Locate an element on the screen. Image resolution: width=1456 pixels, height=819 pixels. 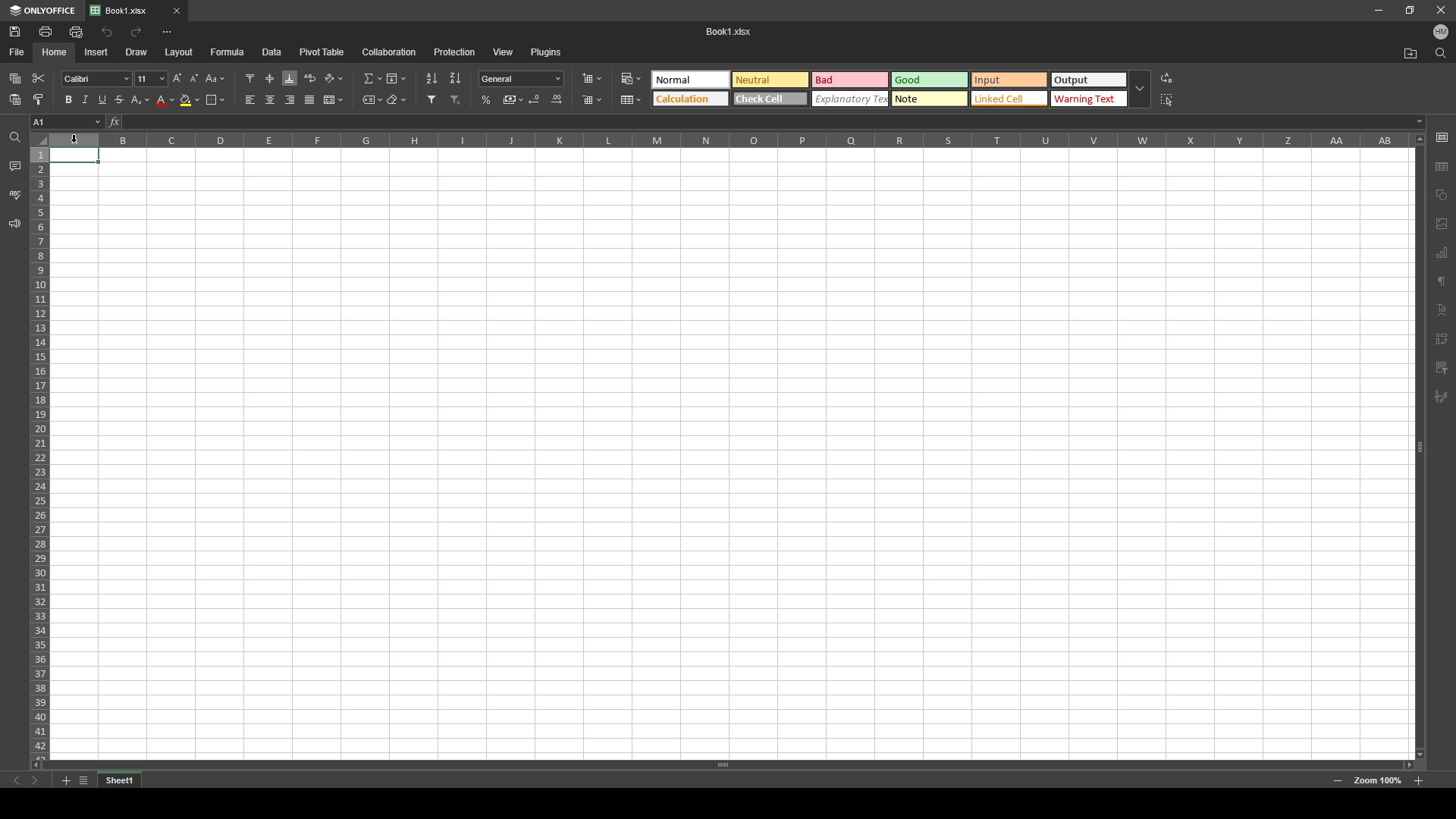
cell columns is located at coordinates (728, 140).